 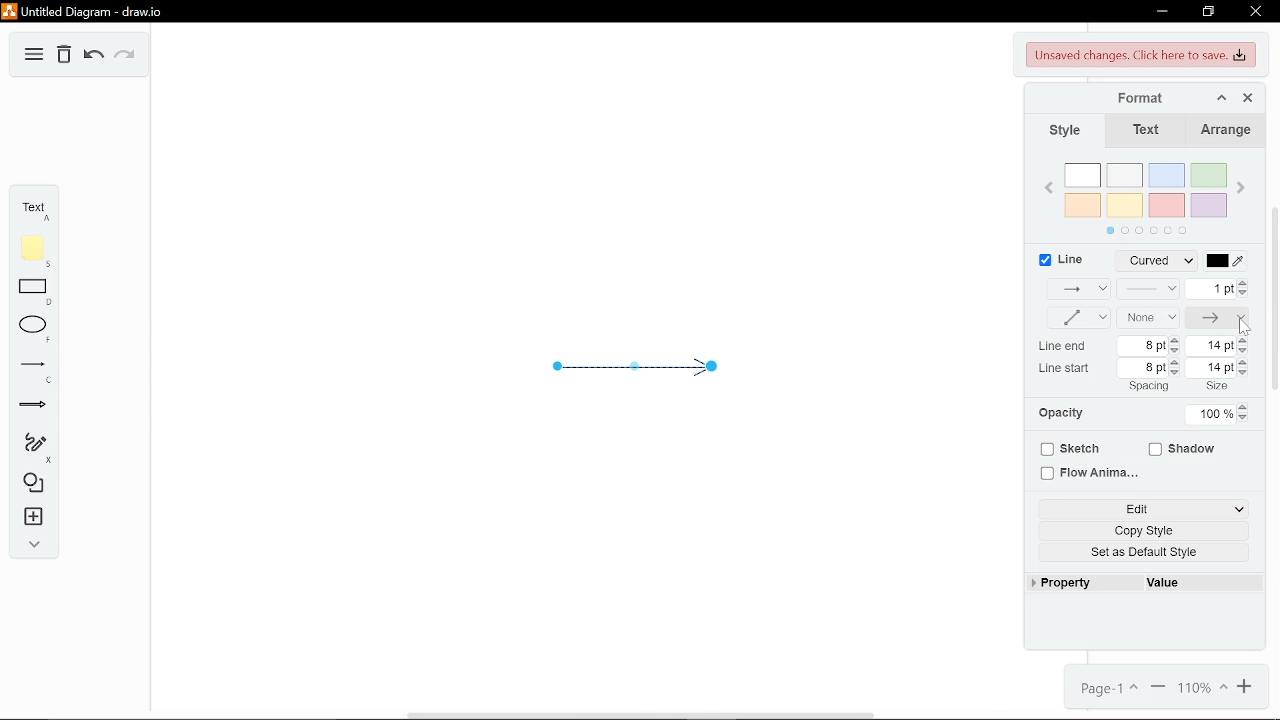 I want to click on Pattern, so click(x=1148, y=290).